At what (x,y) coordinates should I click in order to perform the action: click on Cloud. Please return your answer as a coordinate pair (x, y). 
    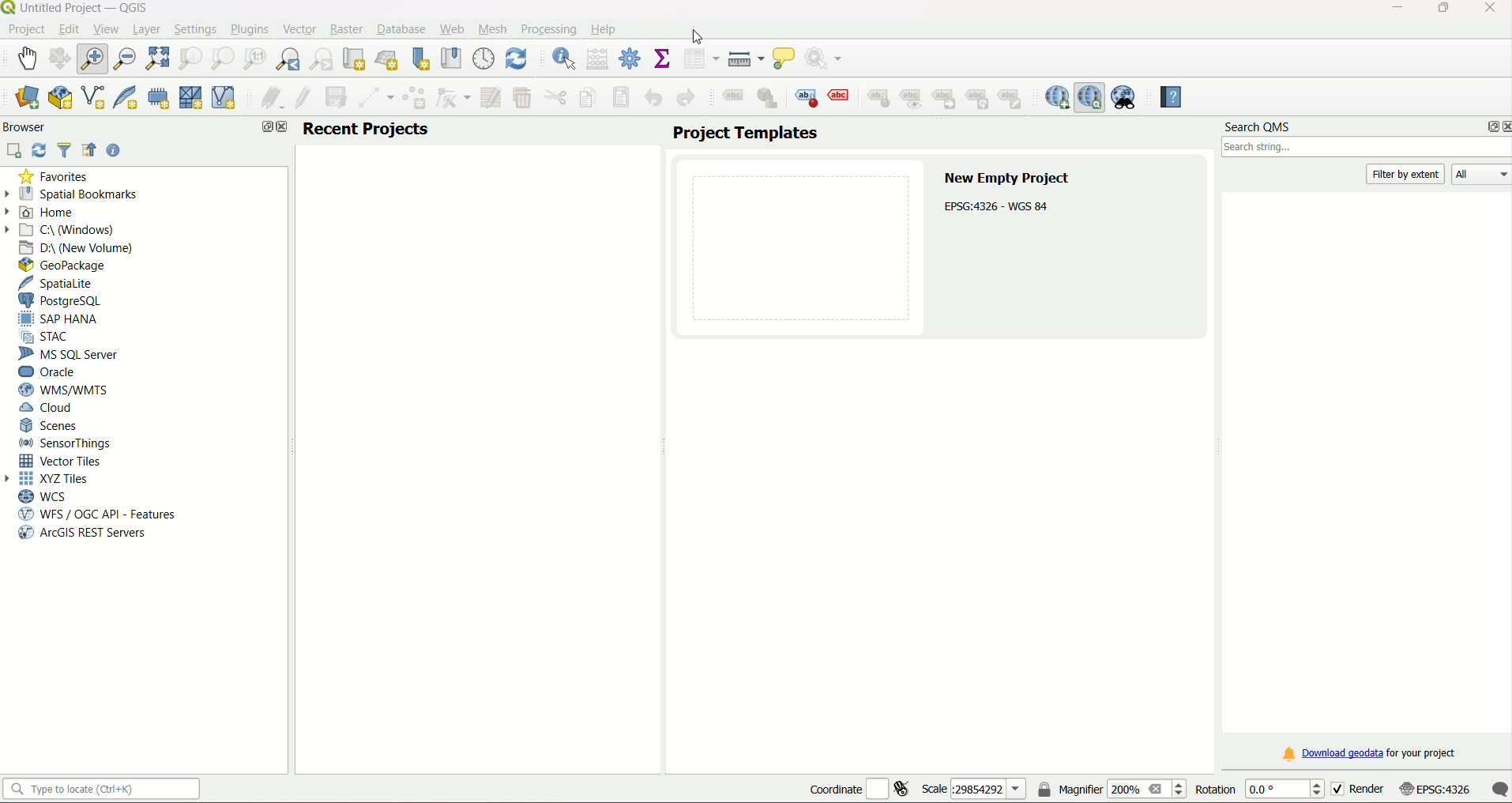
    Looking at the image, I should click on (49, 409).